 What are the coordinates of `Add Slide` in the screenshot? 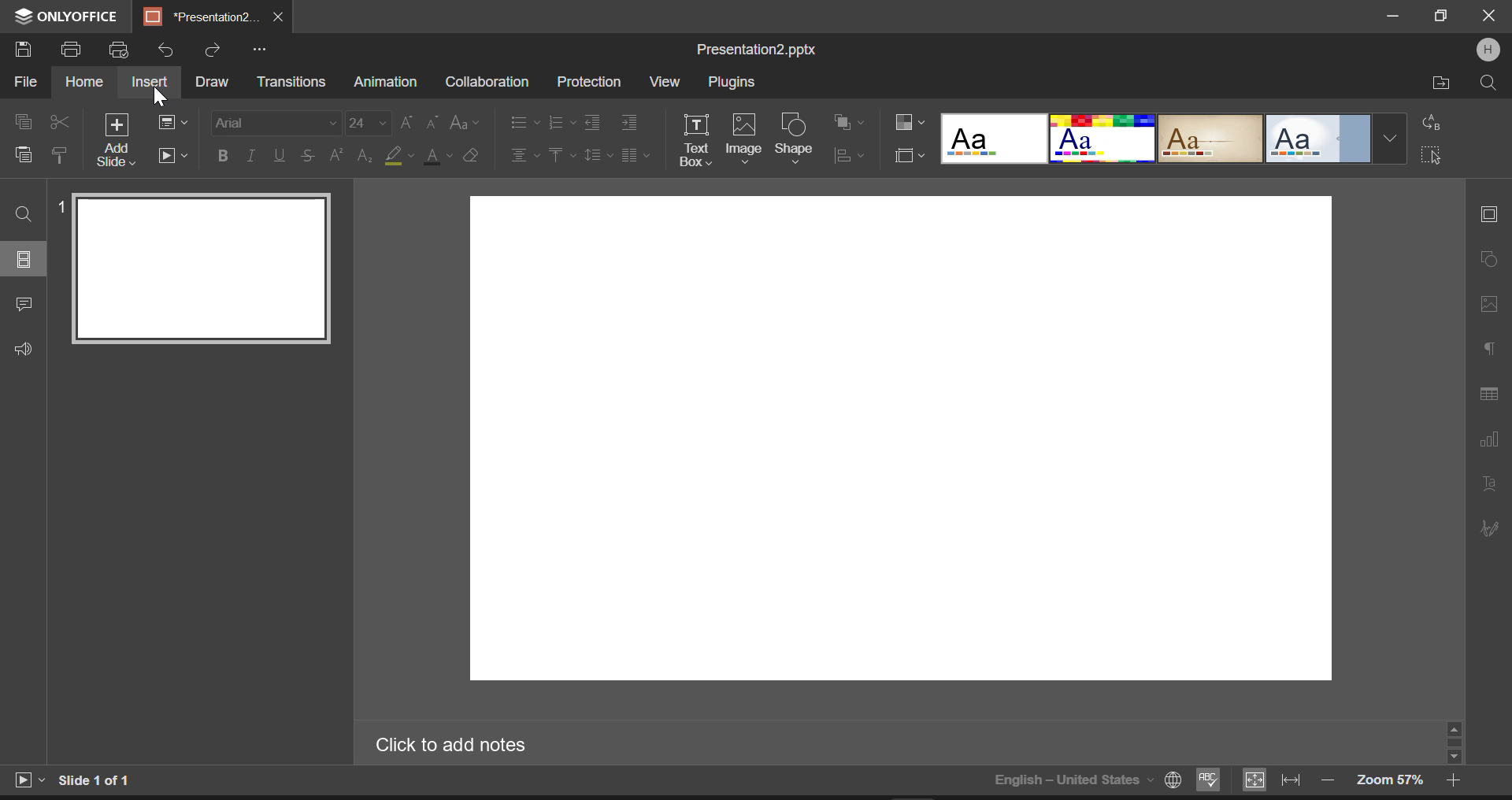 It's located at (117, 139).